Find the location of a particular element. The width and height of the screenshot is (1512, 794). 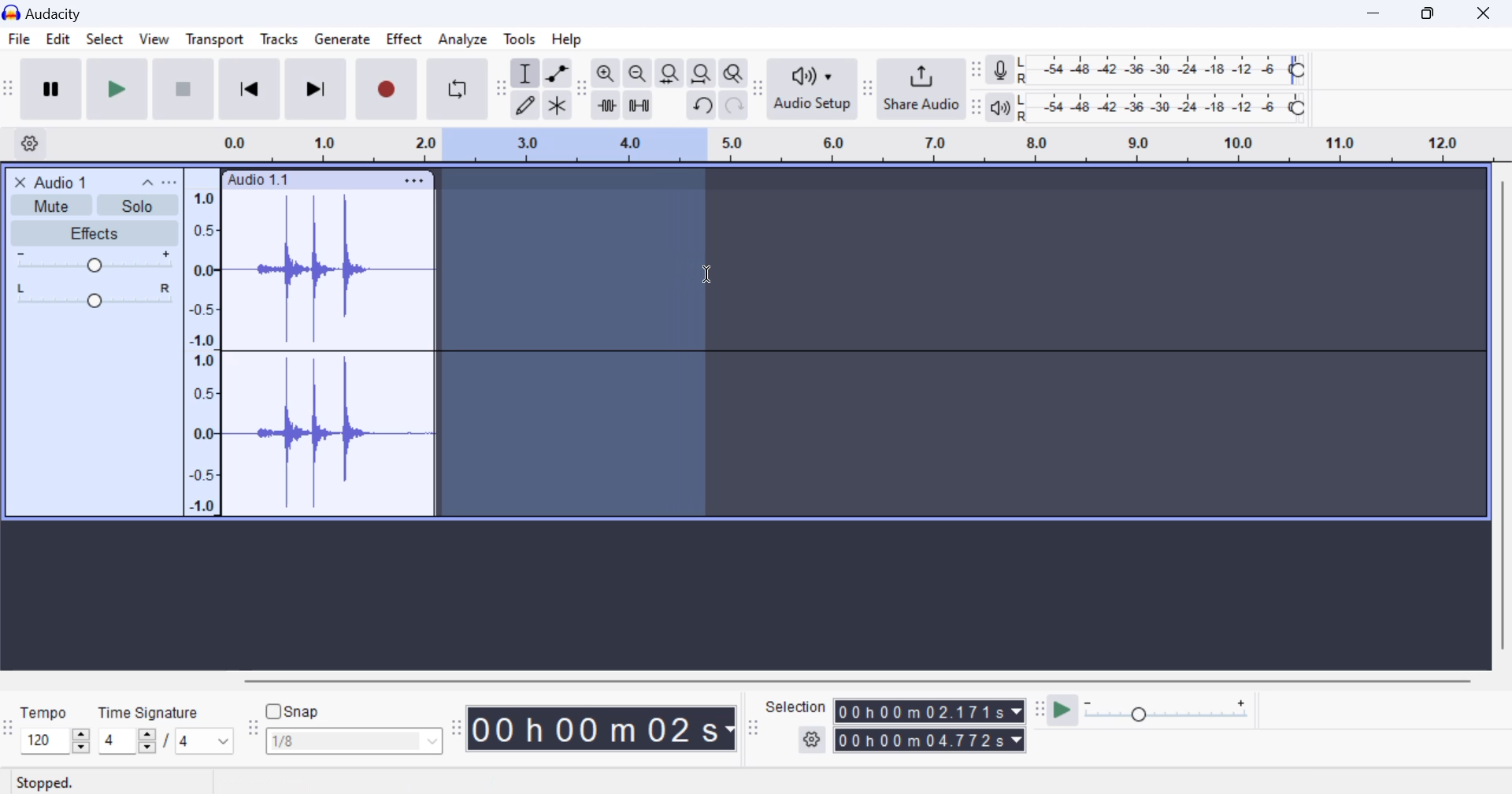

zoom out is located at coordinates (637, 75).